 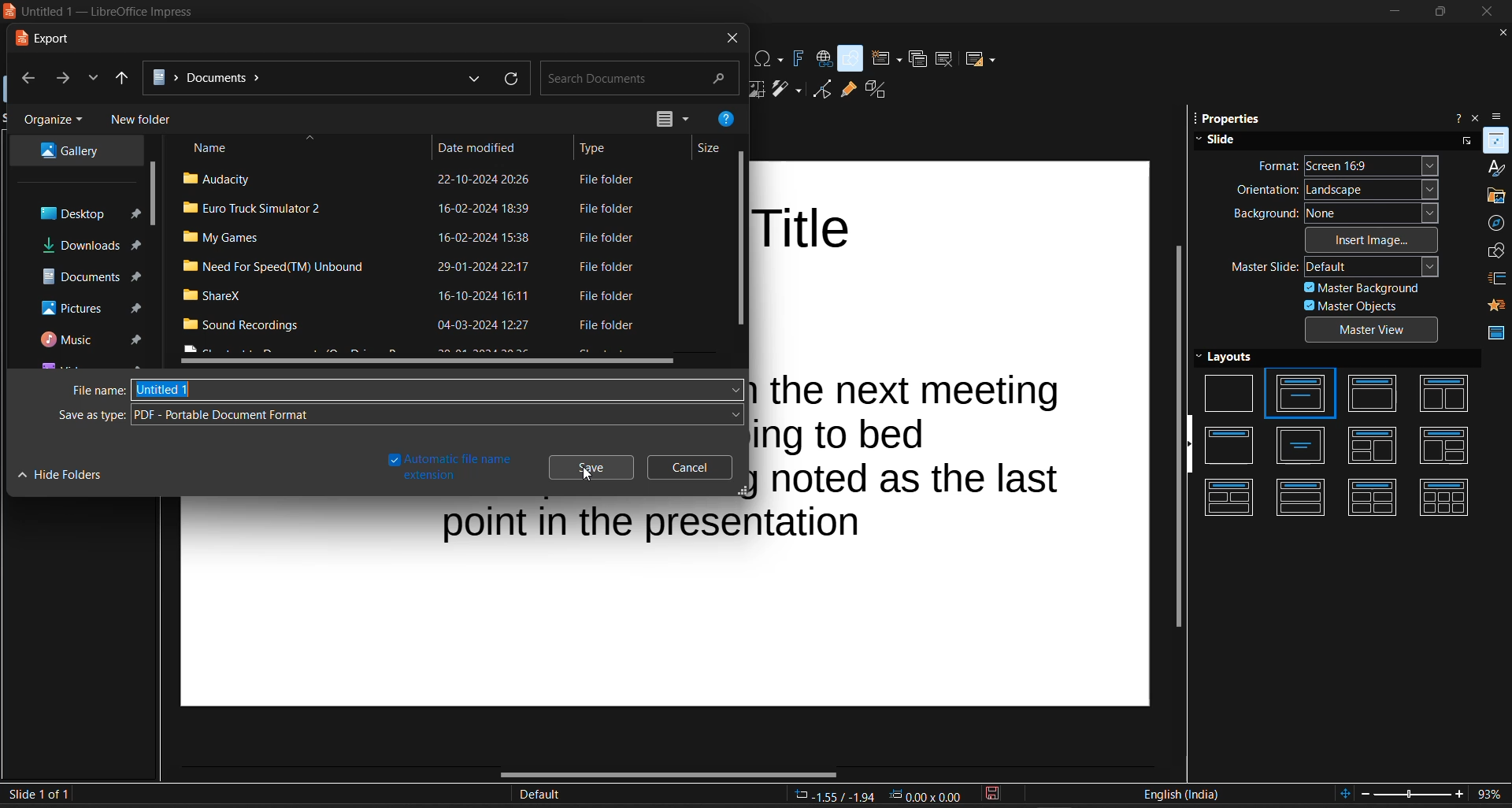 I want to click on sidebar settings, so click(x=1502, y=116).